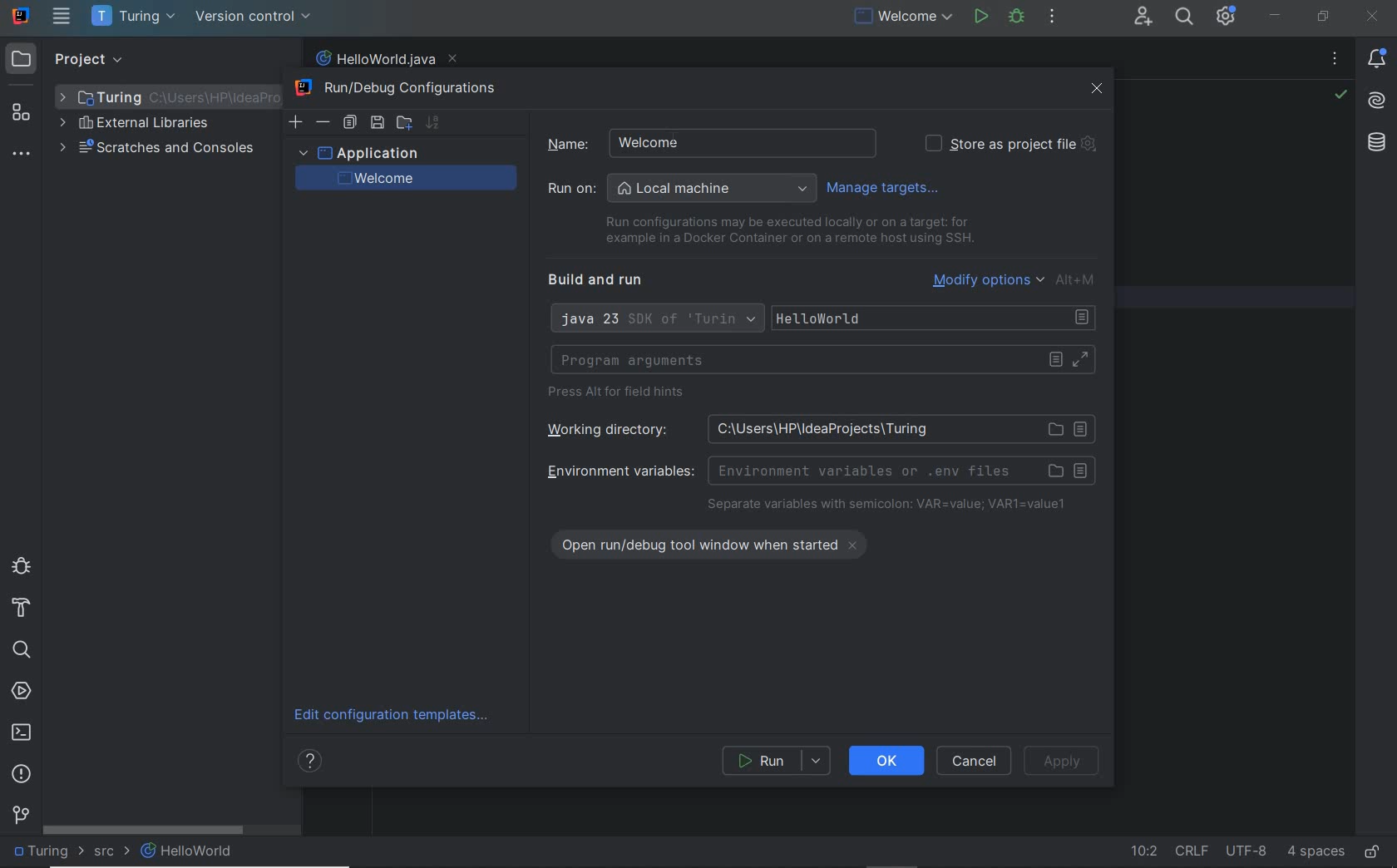 This screenshot has width=1397, height=868. Describe the element at coordinates (1185, 18) in the screenshot. I see `search everywhere` at that location.